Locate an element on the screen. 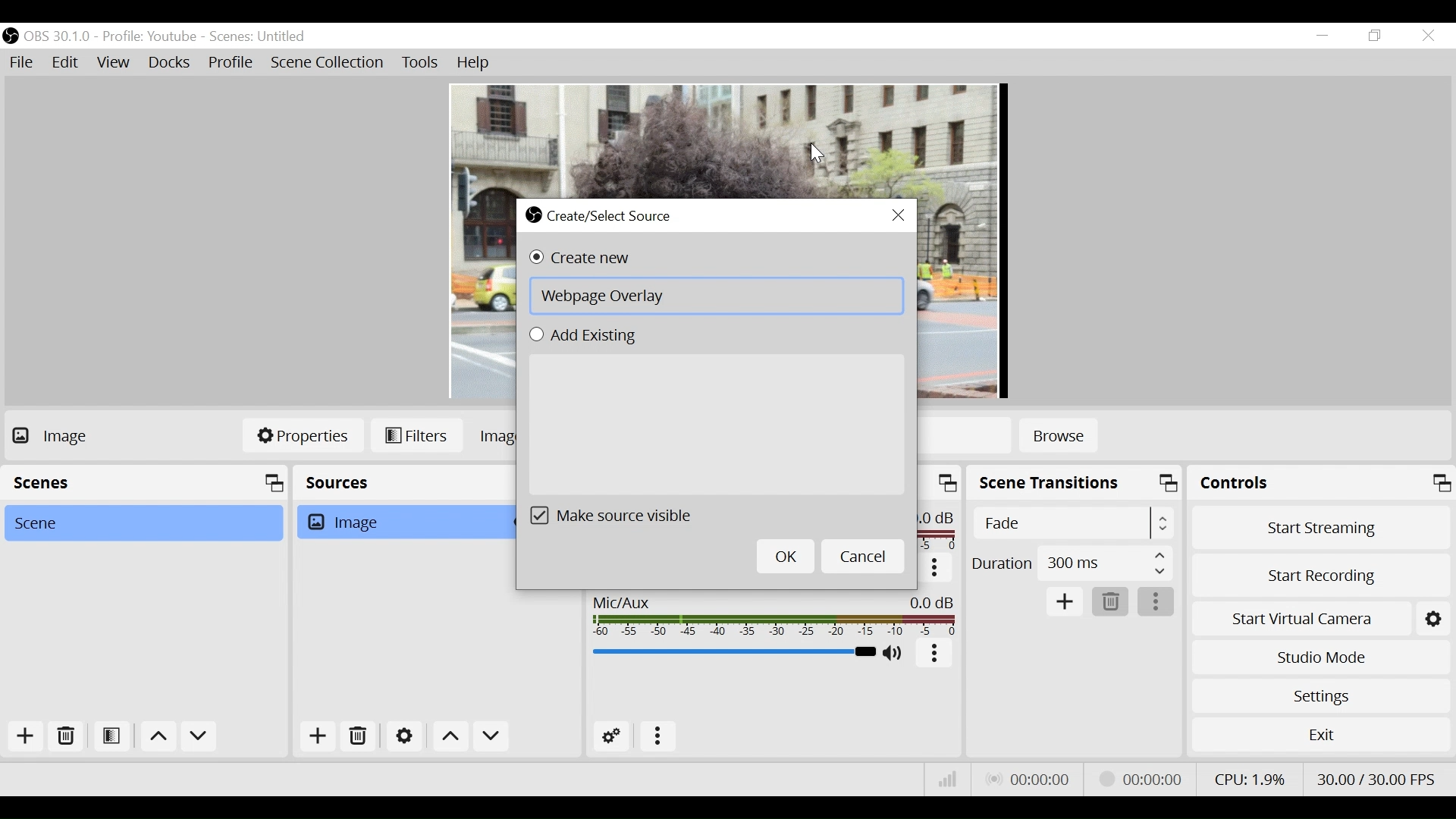 This screenshot has width=1456, height=819. Controls is located at coordinates (1323, 482).